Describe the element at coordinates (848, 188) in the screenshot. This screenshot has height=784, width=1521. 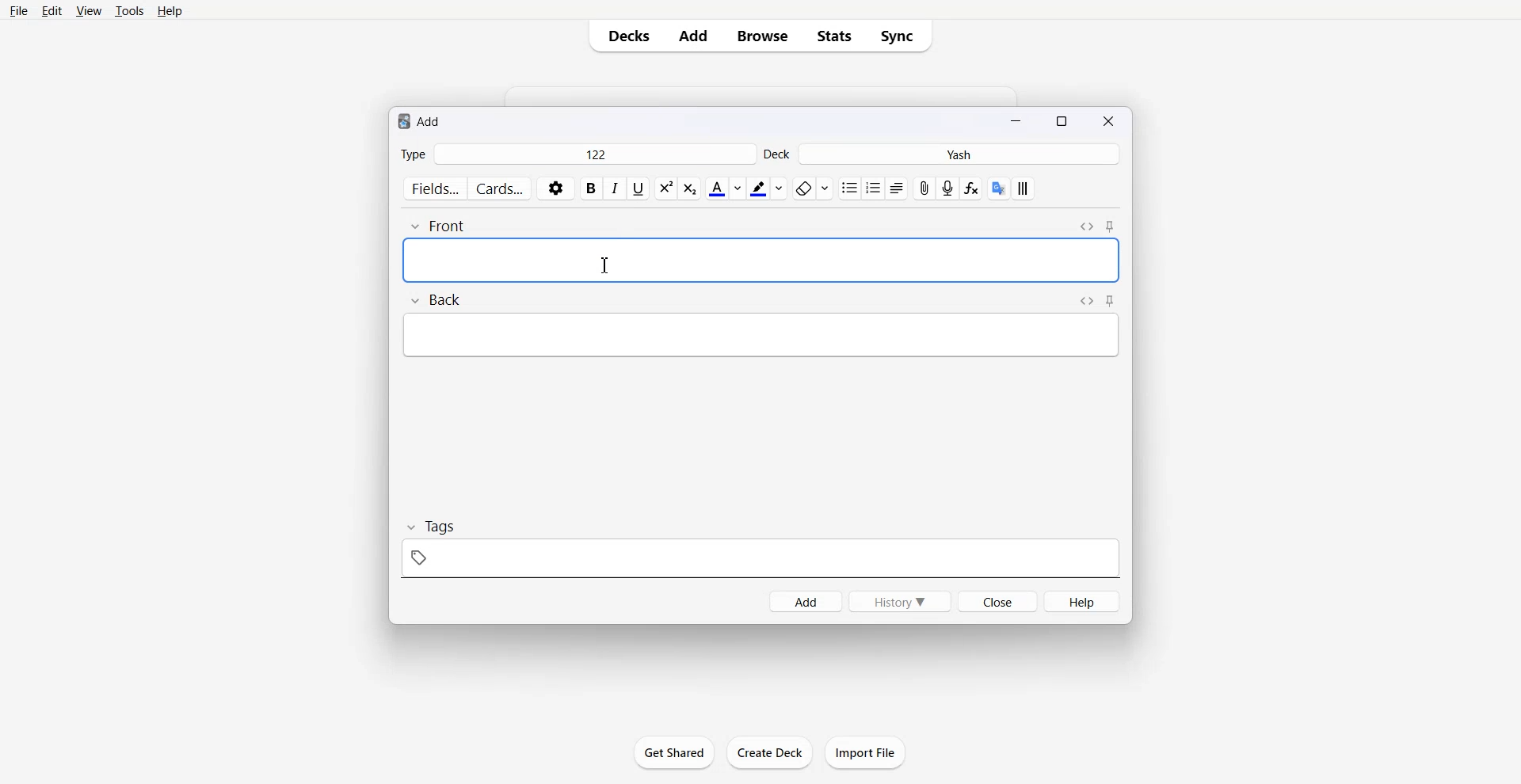
I see `Unorder list` at that location.